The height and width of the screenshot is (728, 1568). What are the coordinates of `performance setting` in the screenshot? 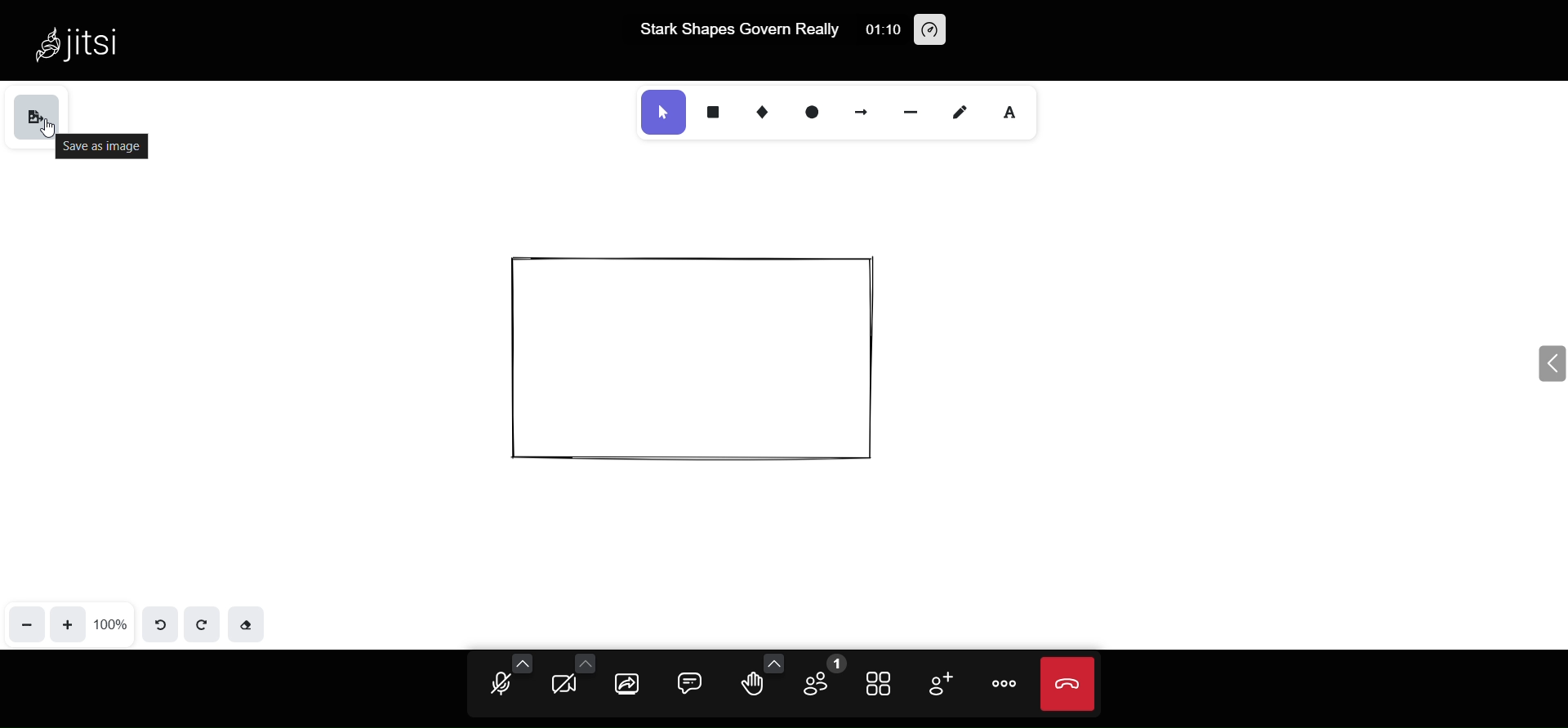 It's located at (931, 29).